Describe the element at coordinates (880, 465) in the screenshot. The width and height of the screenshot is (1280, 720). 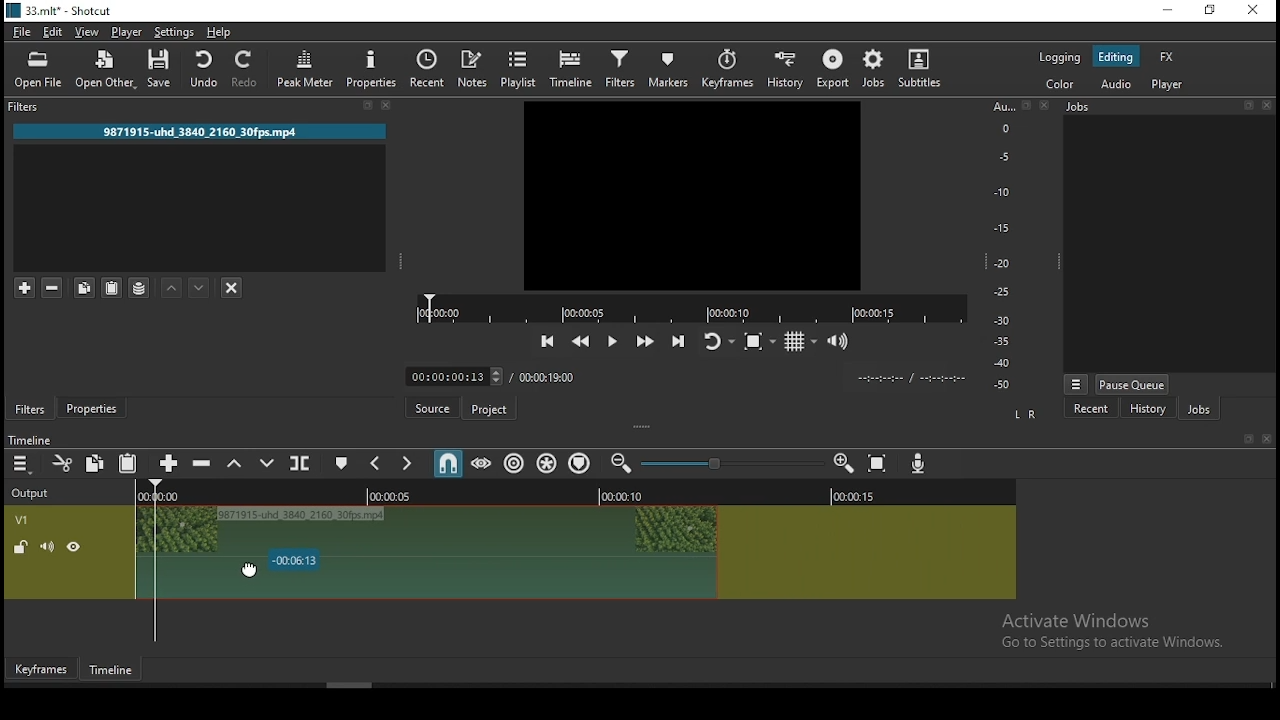
I see `zoom timeline to fit` at that location.